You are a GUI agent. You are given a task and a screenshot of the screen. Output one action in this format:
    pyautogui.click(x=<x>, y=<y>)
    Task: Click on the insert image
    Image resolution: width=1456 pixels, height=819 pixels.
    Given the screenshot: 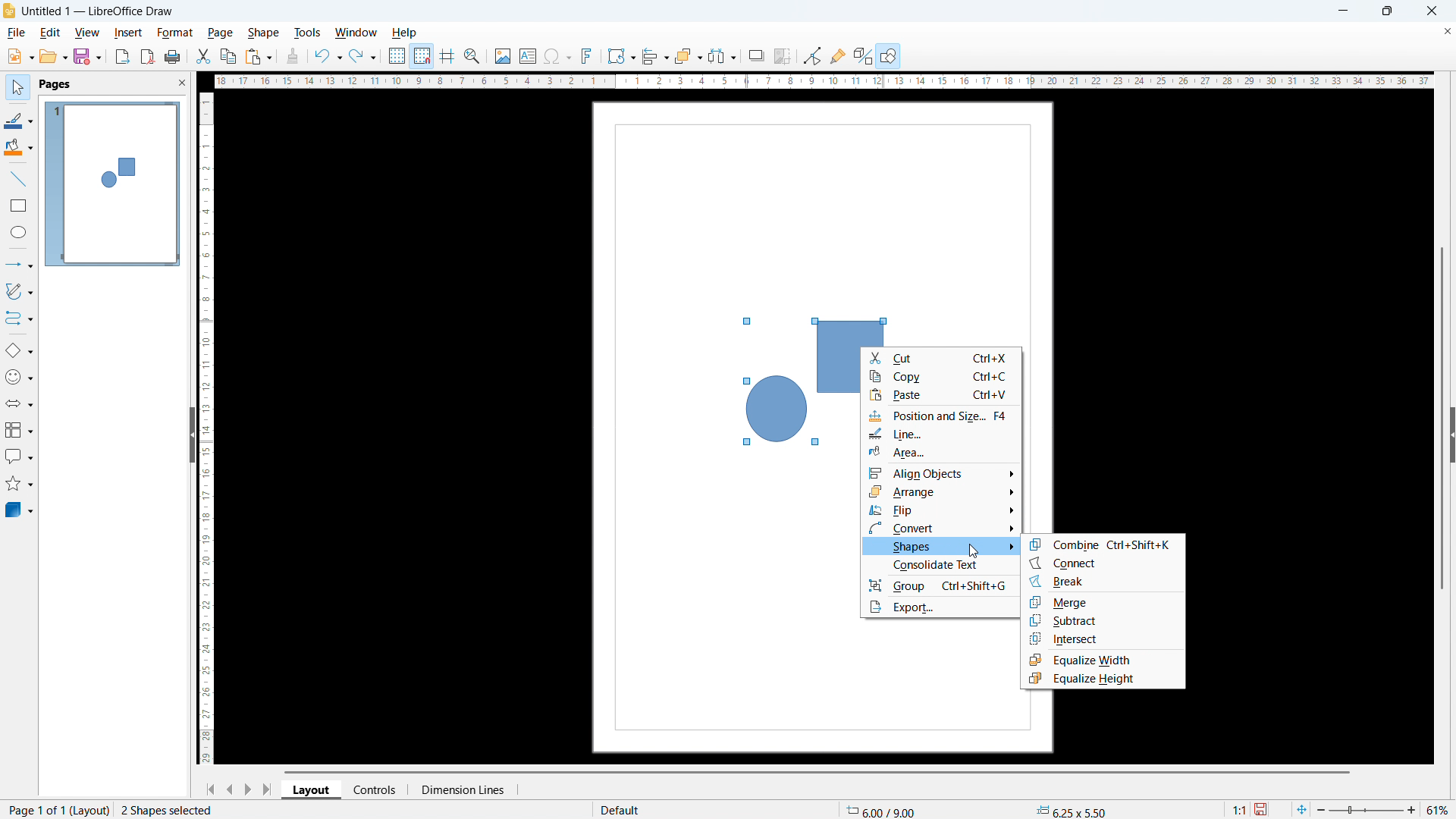 What is the action you would take?
    pyautogui.click(x=503, y=57)
    